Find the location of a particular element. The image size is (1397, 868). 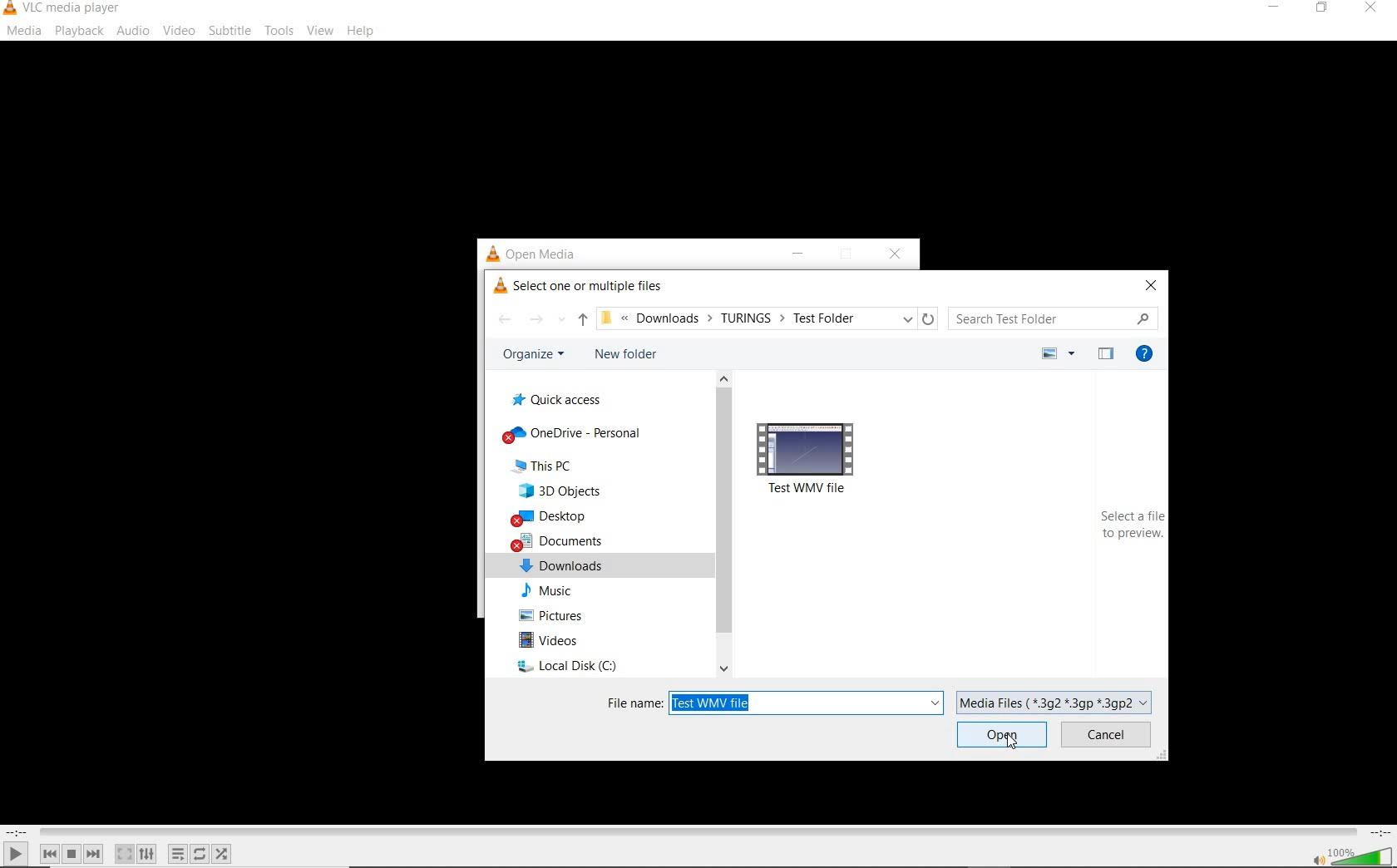

file name: test WMV file is located at coordinates (770, 703).